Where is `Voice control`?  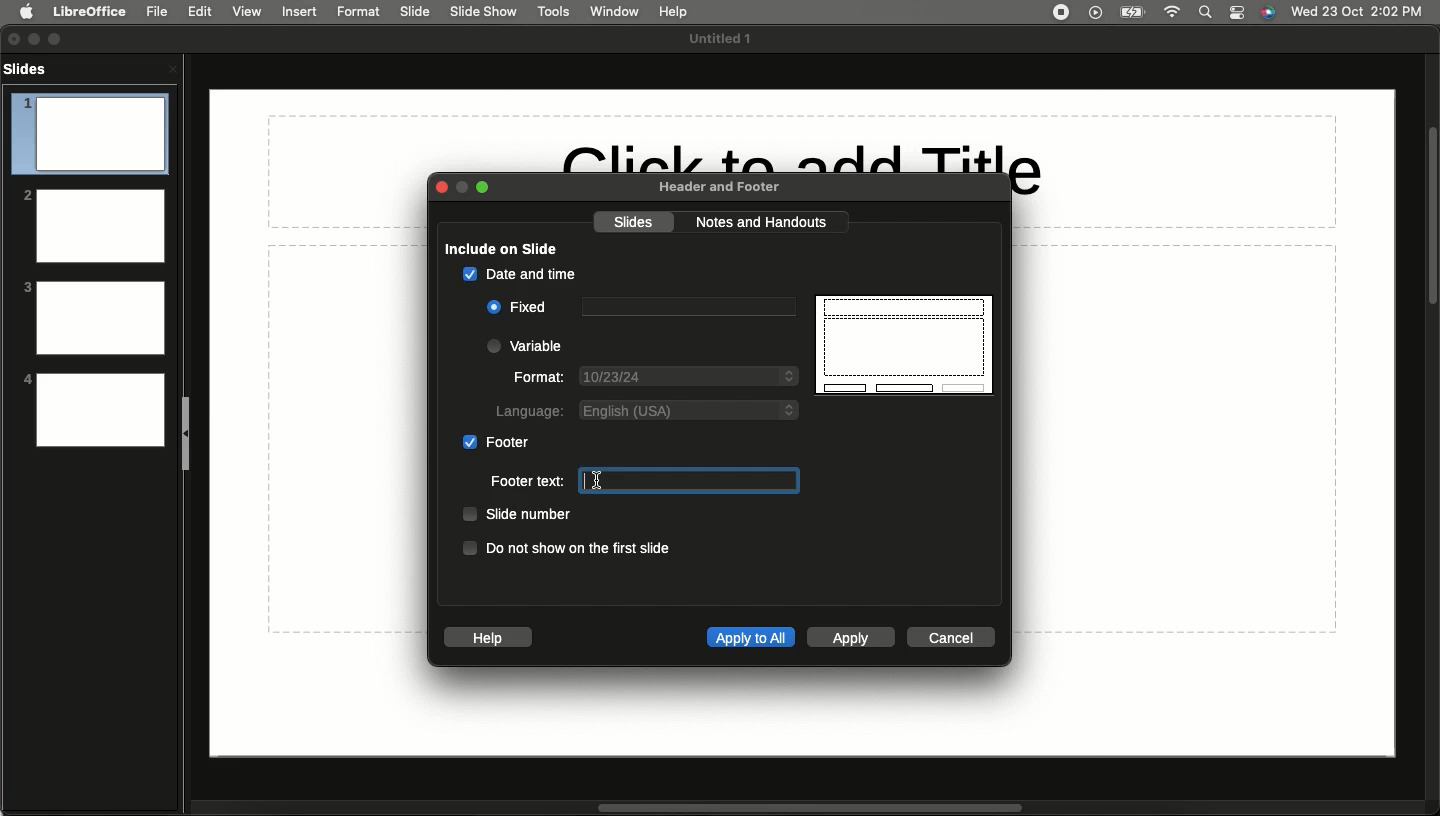 Voice control is located at coordinates (1268, 13).